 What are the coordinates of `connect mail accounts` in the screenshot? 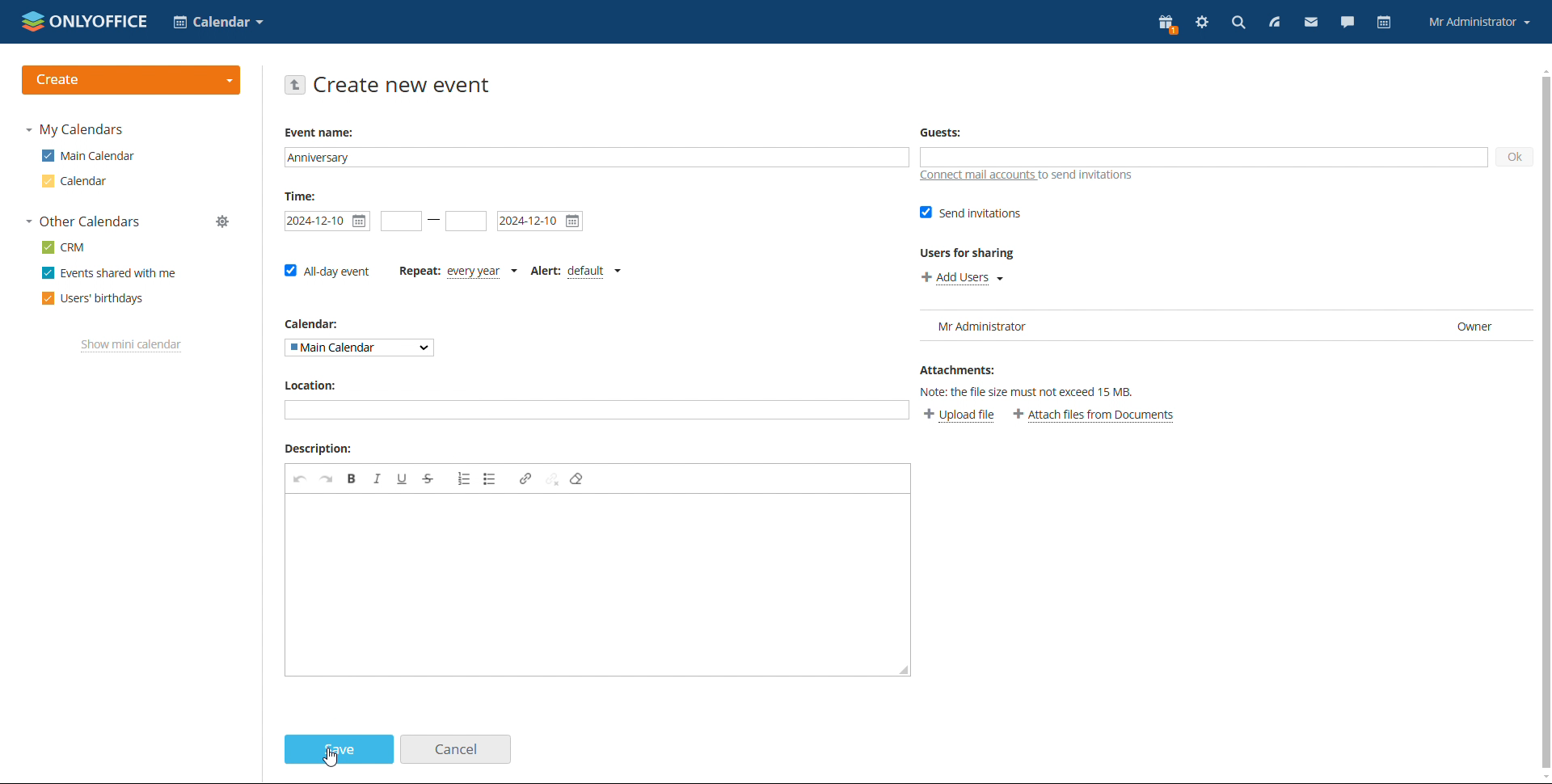 It's located at (1027, 176).